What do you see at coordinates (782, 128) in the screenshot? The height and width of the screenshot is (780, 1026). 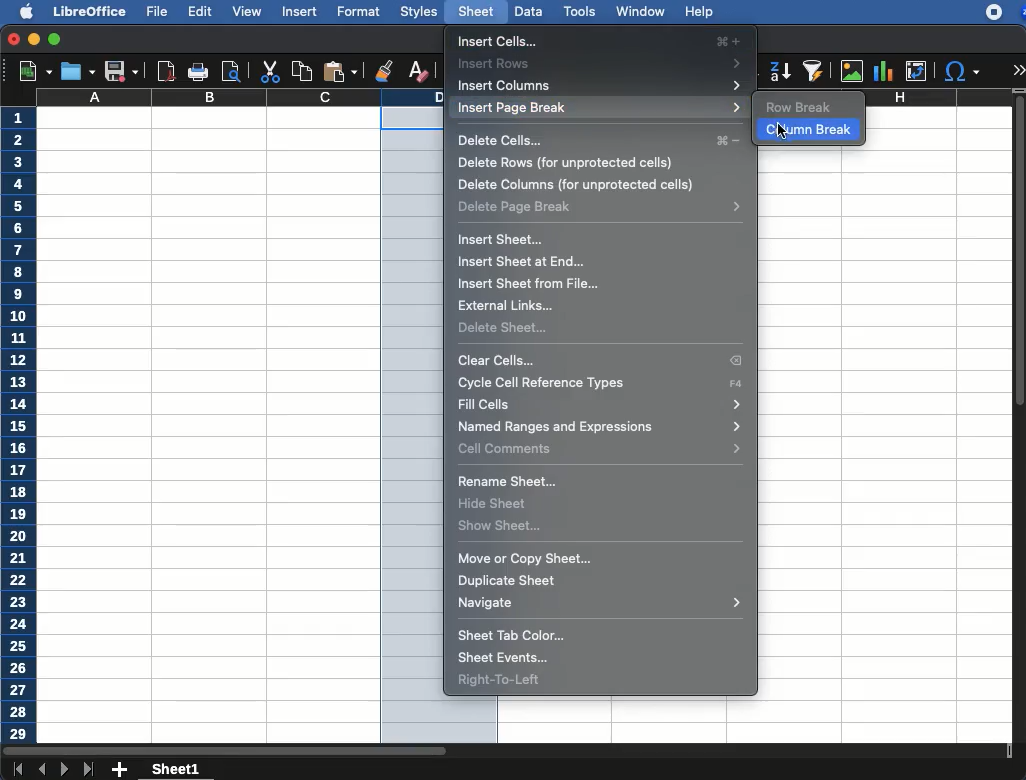 I see `click` at bounding box center [782, 128].